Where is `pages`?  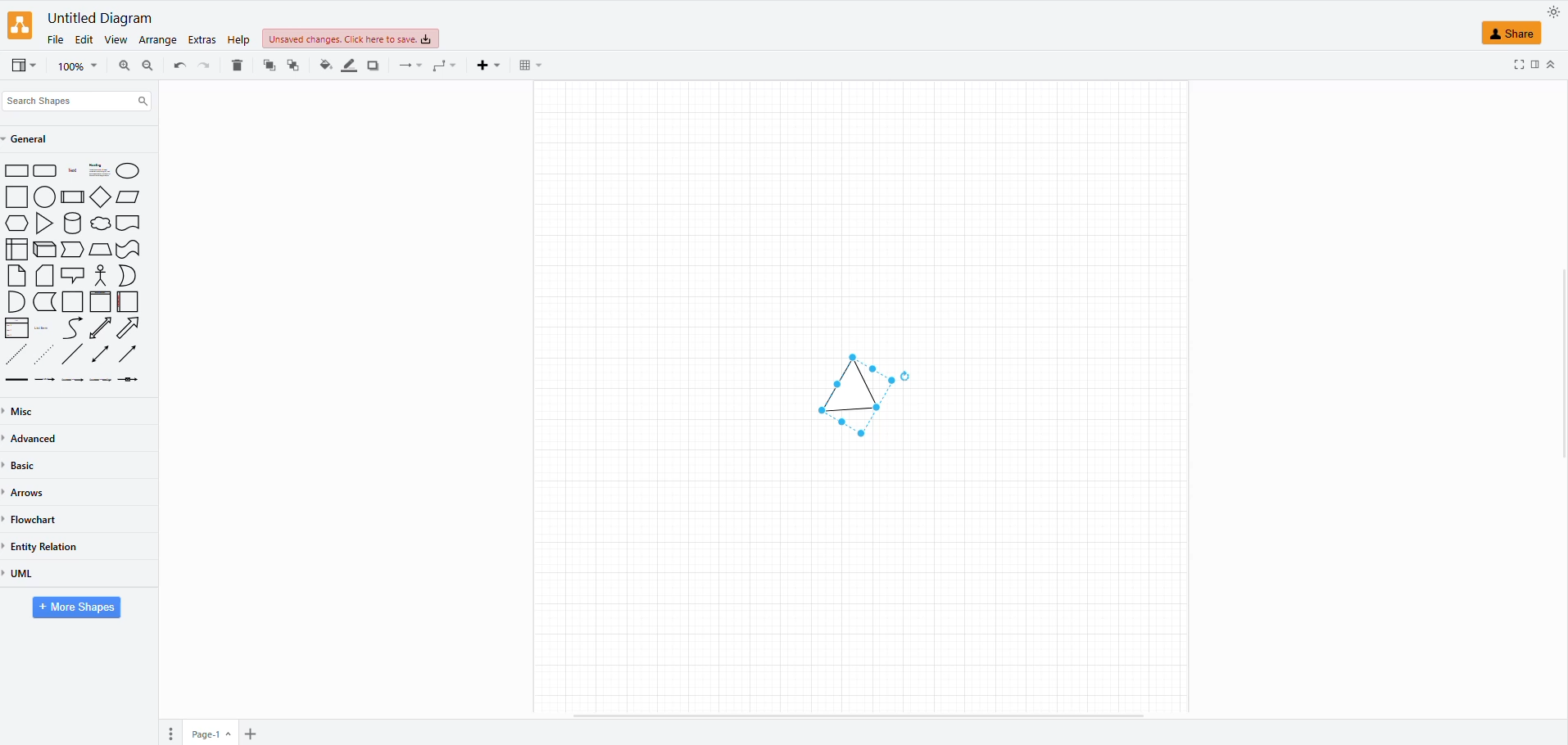
pages is located at coordinates (169, 734).